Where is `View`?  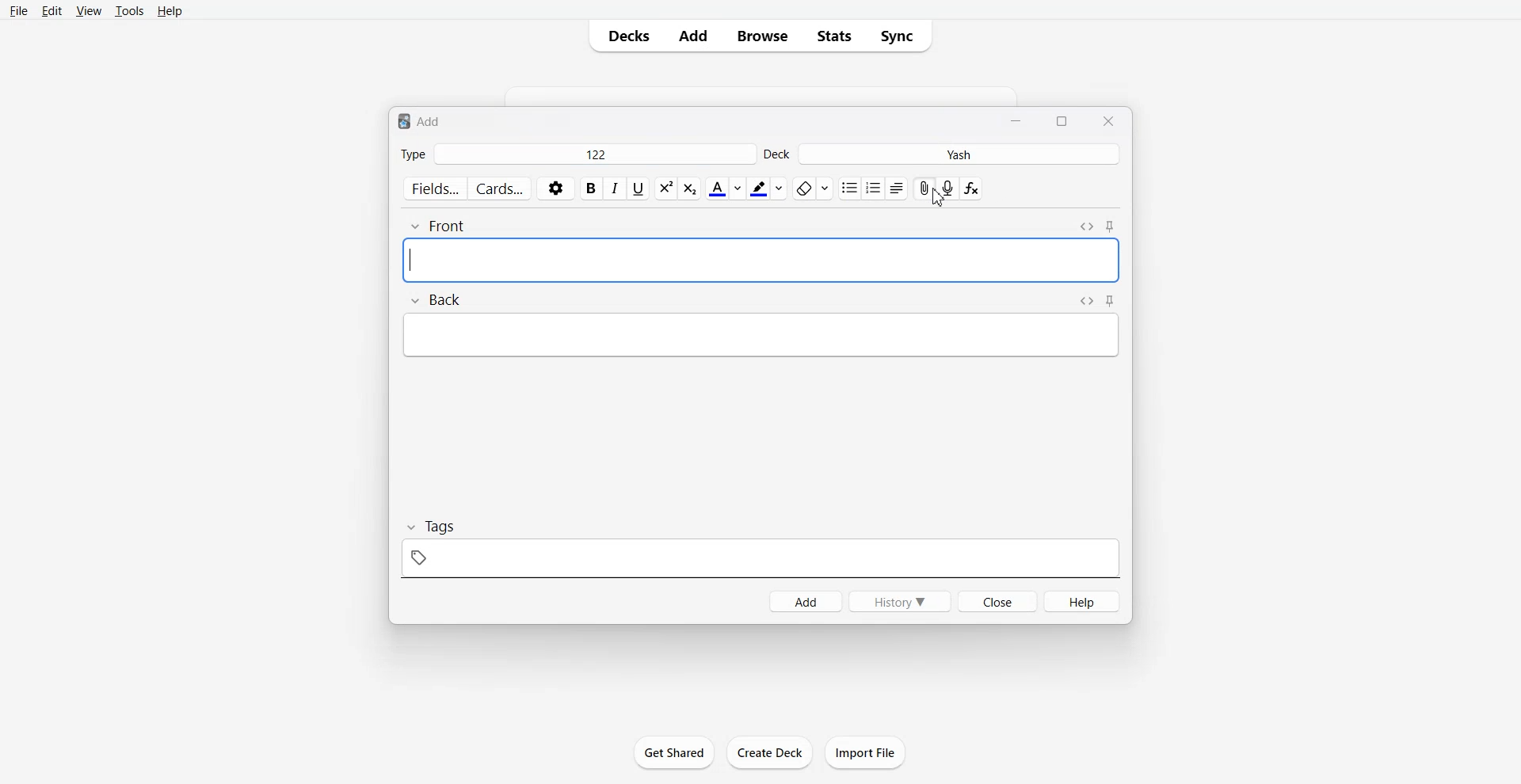
View is located at coordinates (88, 12).